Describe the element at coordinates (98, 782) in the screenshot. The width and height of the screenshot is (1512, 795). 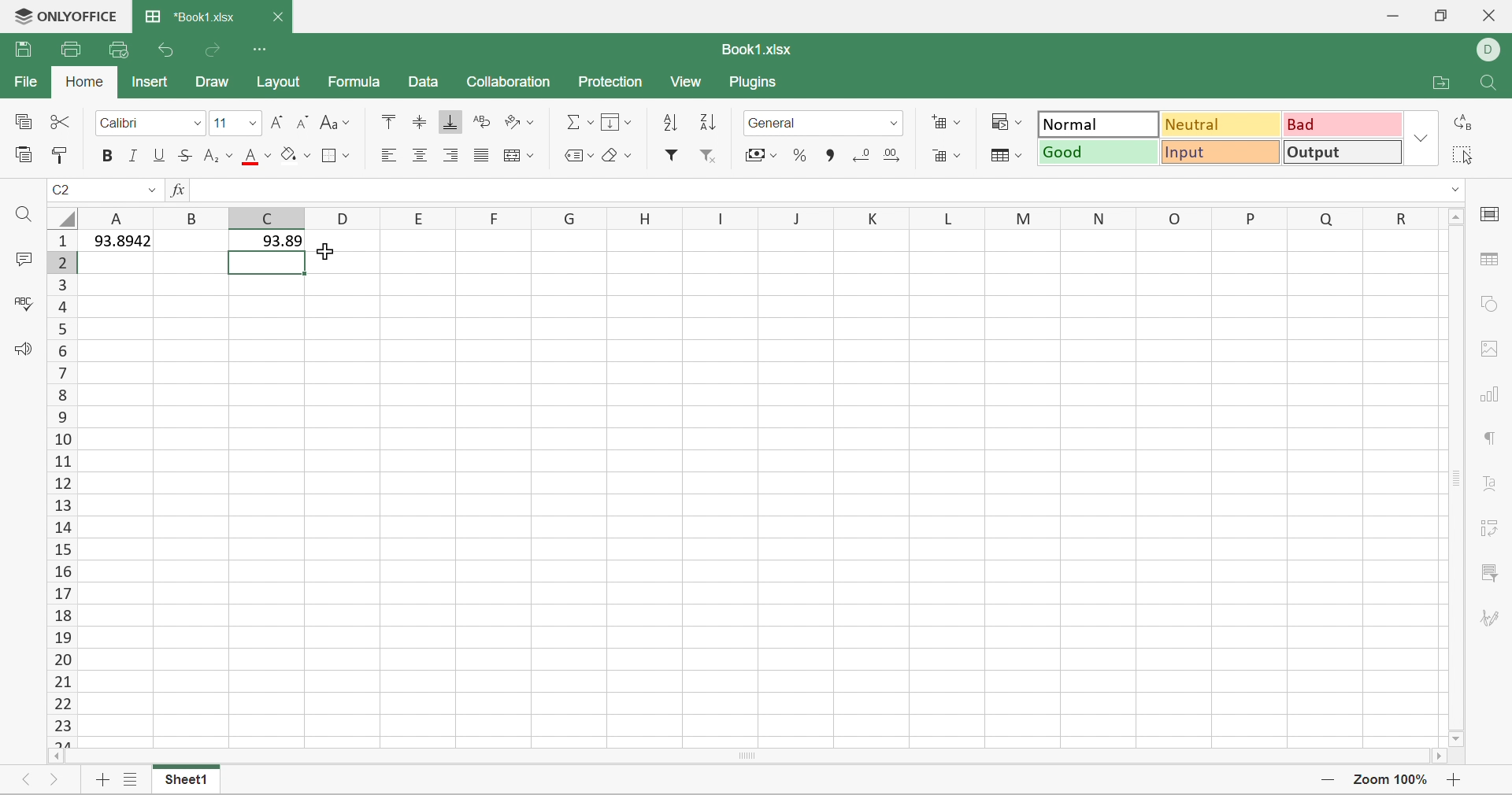
I see `Add sheet` at that location.